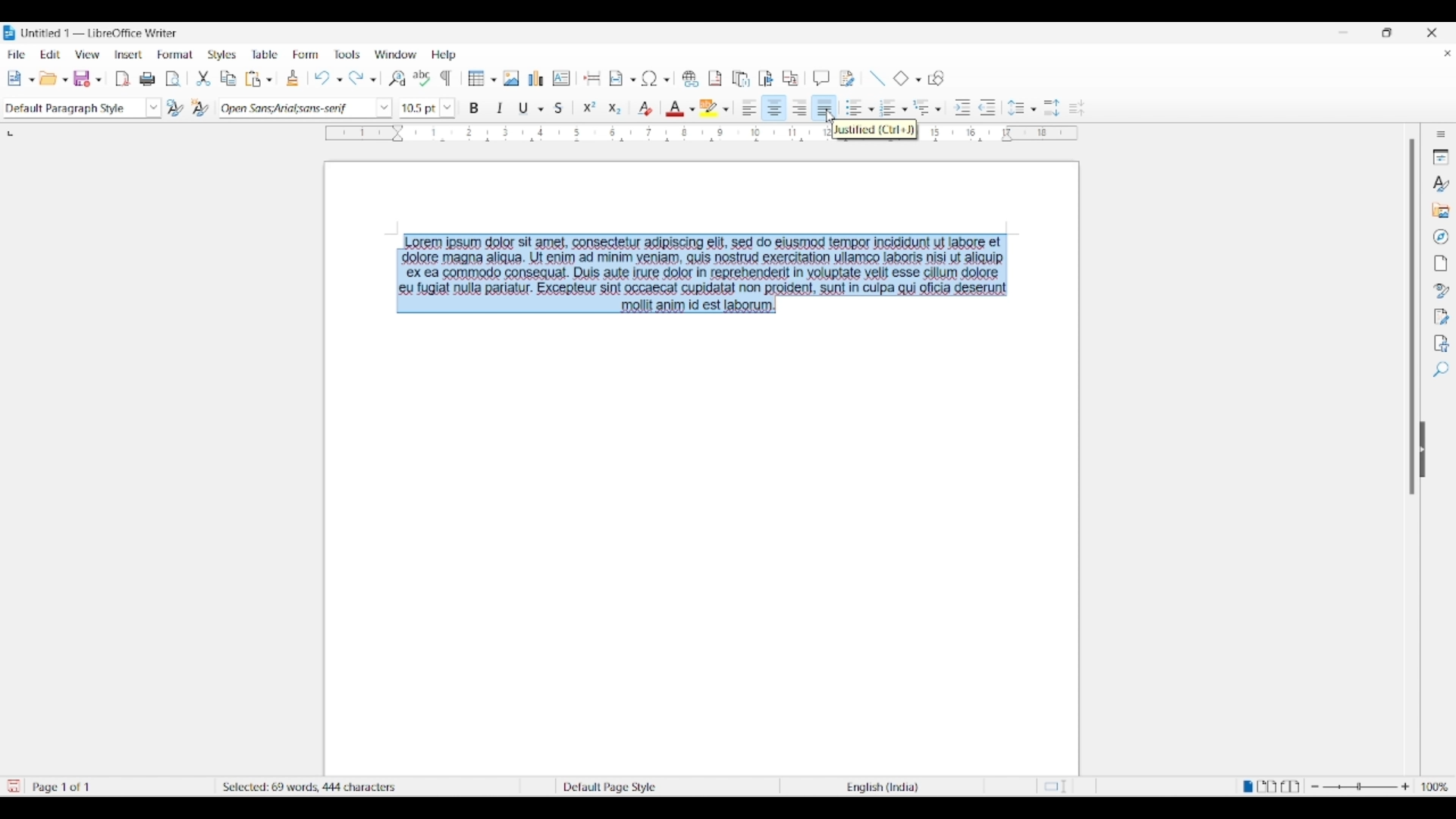 This screenshot has width=1456, height=819. Describe the element at coordinates (877, 79) in the screenshot. I see `Insert line` at that location.